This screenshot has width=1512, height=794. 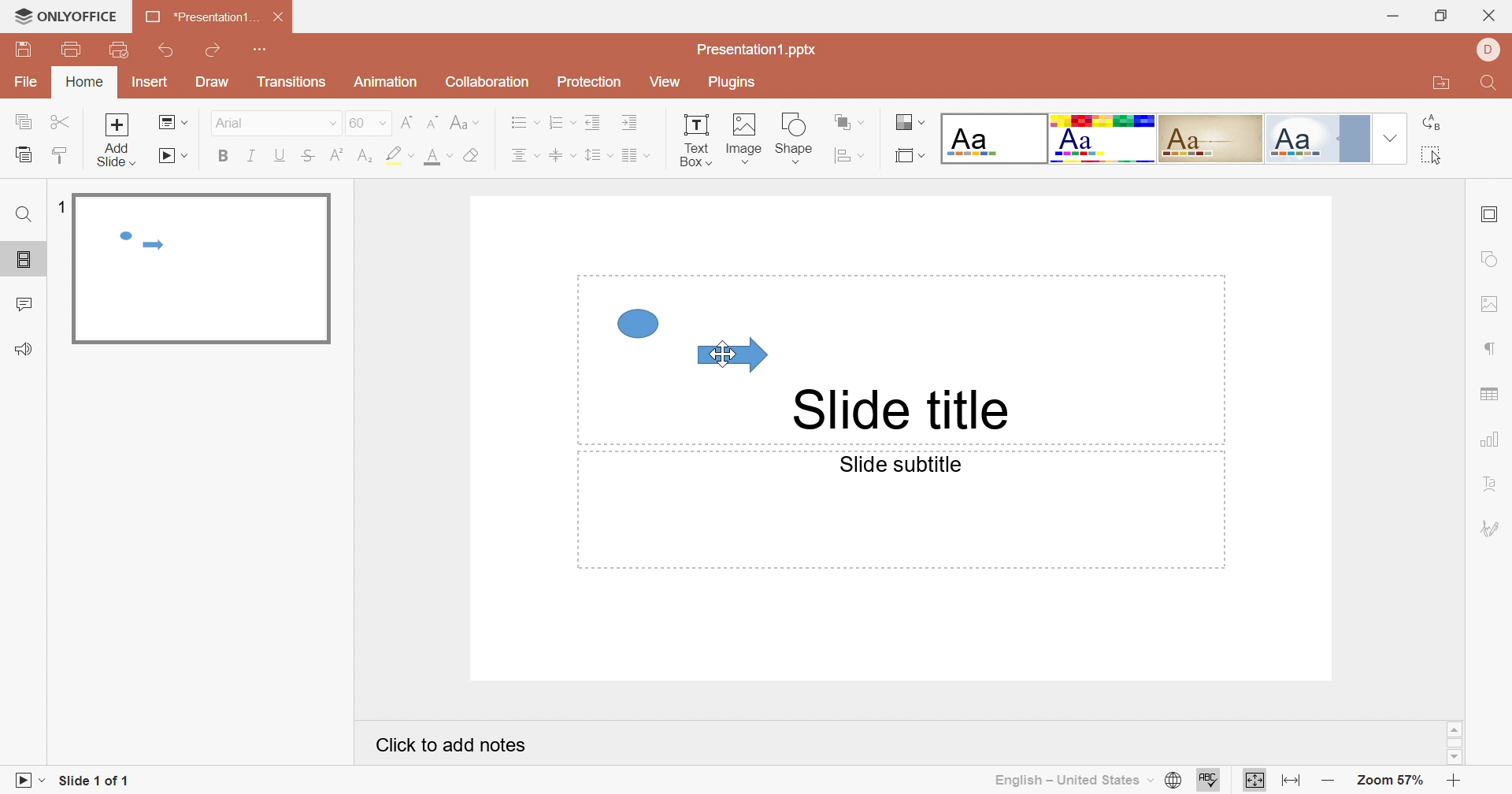 What do you see at coordinates (1317, 139) in the screenshot?
I see `Official` at bounding box center [1317, 139].